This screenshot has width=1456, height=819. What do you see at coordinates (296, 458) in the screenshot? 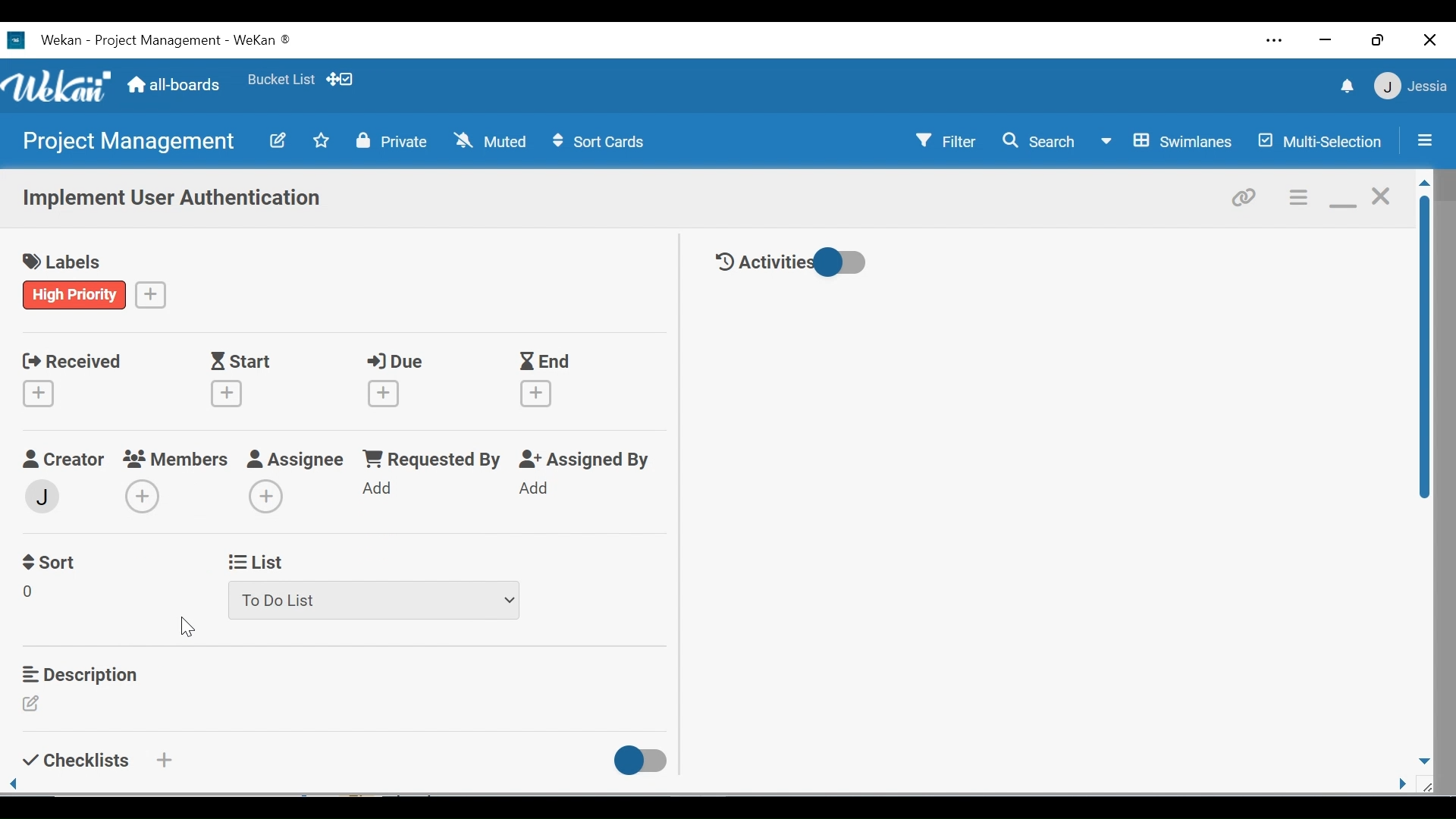
I see `Assignee` at bounding box center [296, 458].